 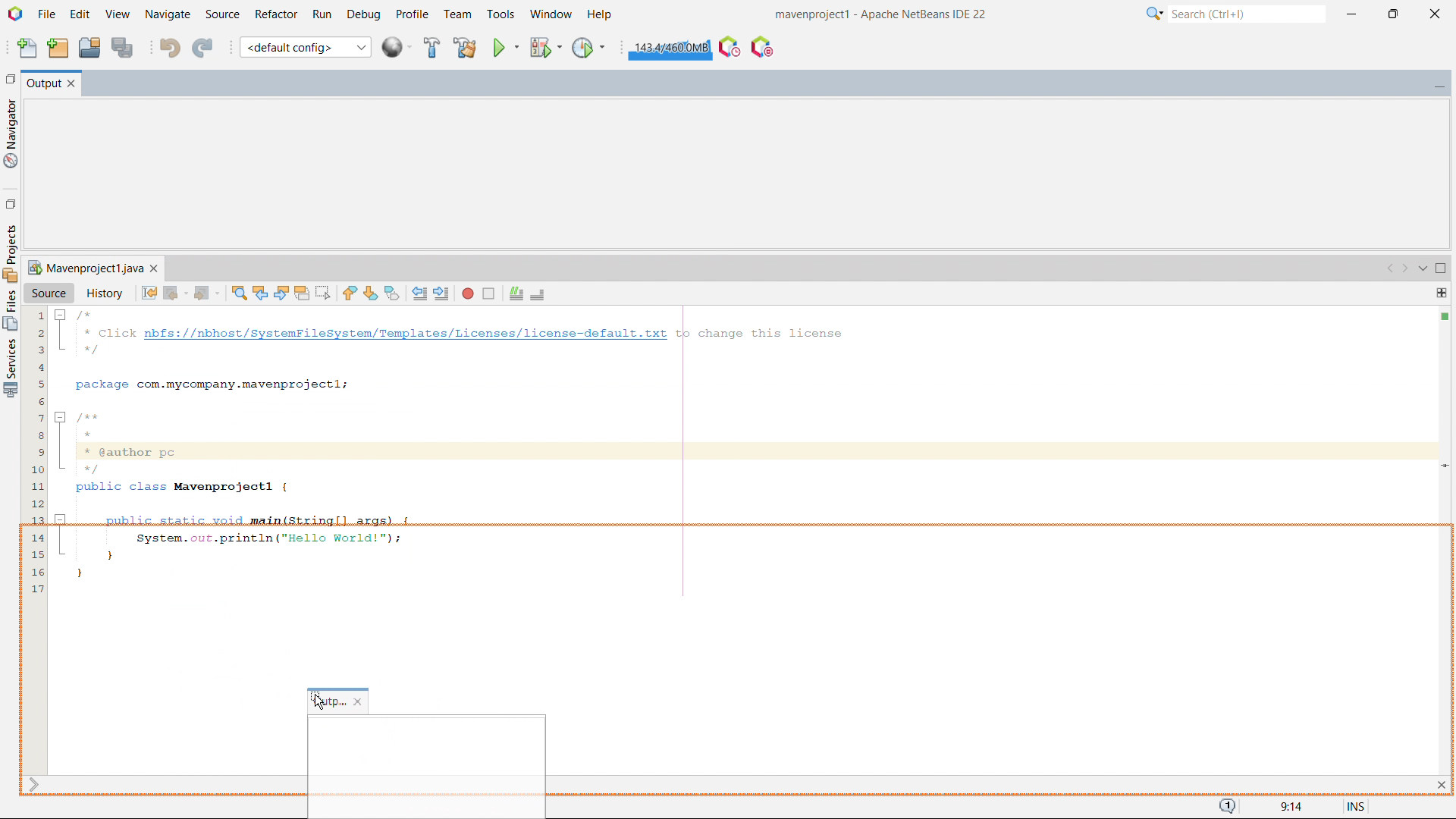 What do you see at coordinates (170, 47) in the screenshot?
I see `undo` at bounding box center [170, 47].